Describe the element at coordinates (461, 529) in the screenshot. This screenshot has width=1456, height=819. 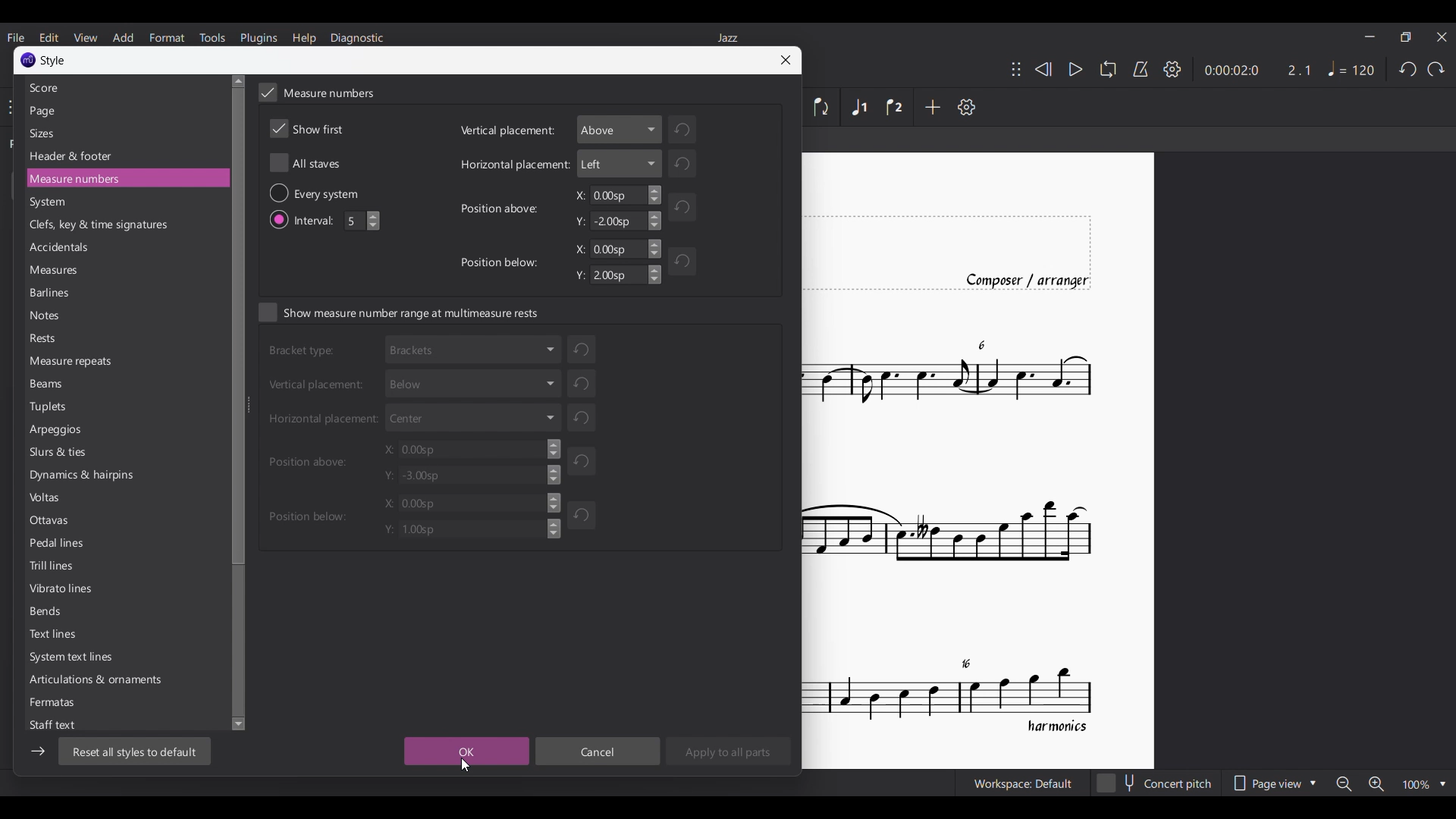
I see `Y` at that location.